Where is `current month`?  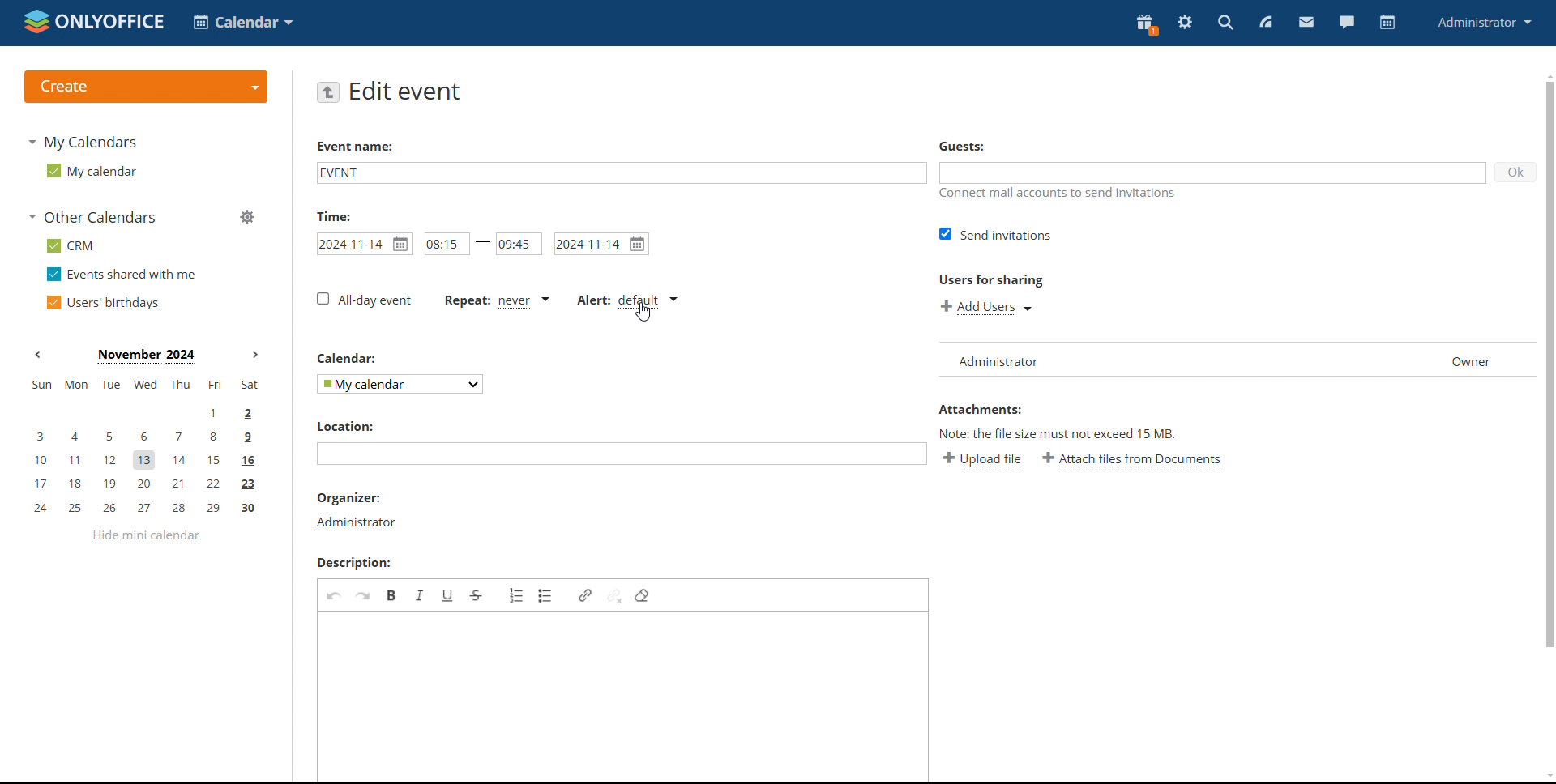 current month is located at coordinates (144, 356).